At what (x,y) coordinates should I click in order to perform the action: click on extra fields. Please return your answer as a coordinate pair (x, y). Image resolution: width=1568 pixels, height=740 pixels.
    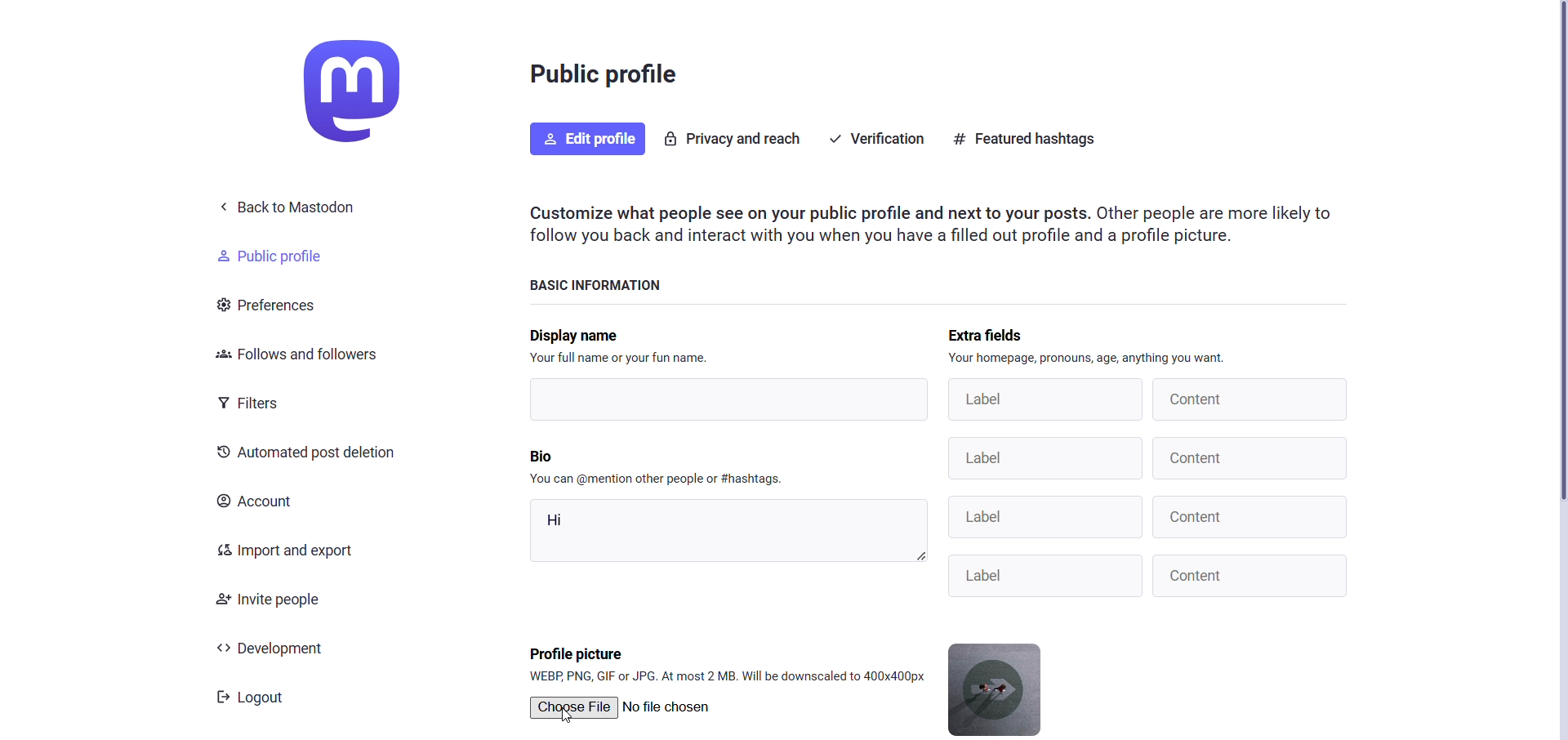
    Looking at the image, I should click on (991, 334).